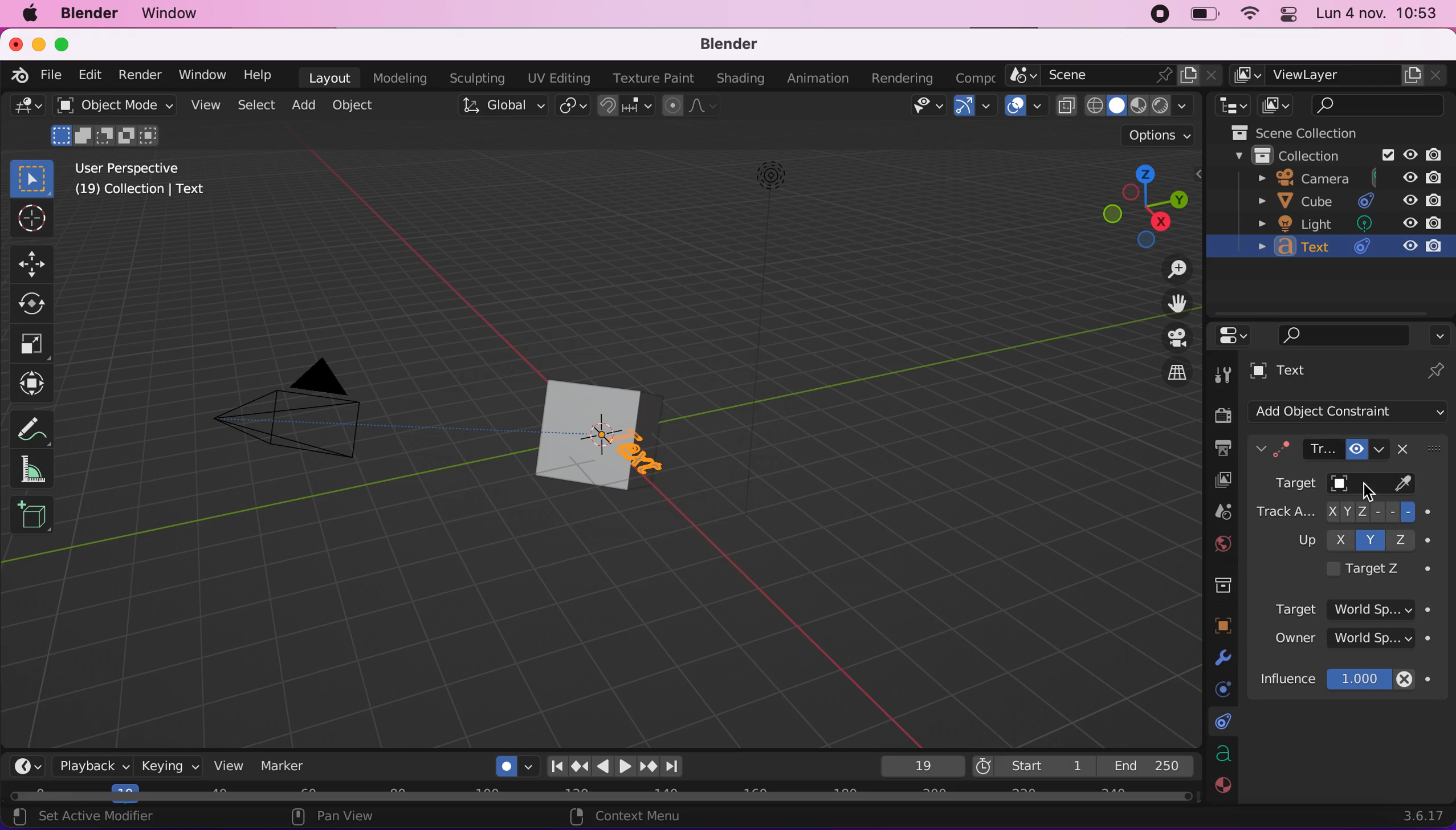 This screenshot has height=830, width=1456. I want to click on select box, so click(33, 177).